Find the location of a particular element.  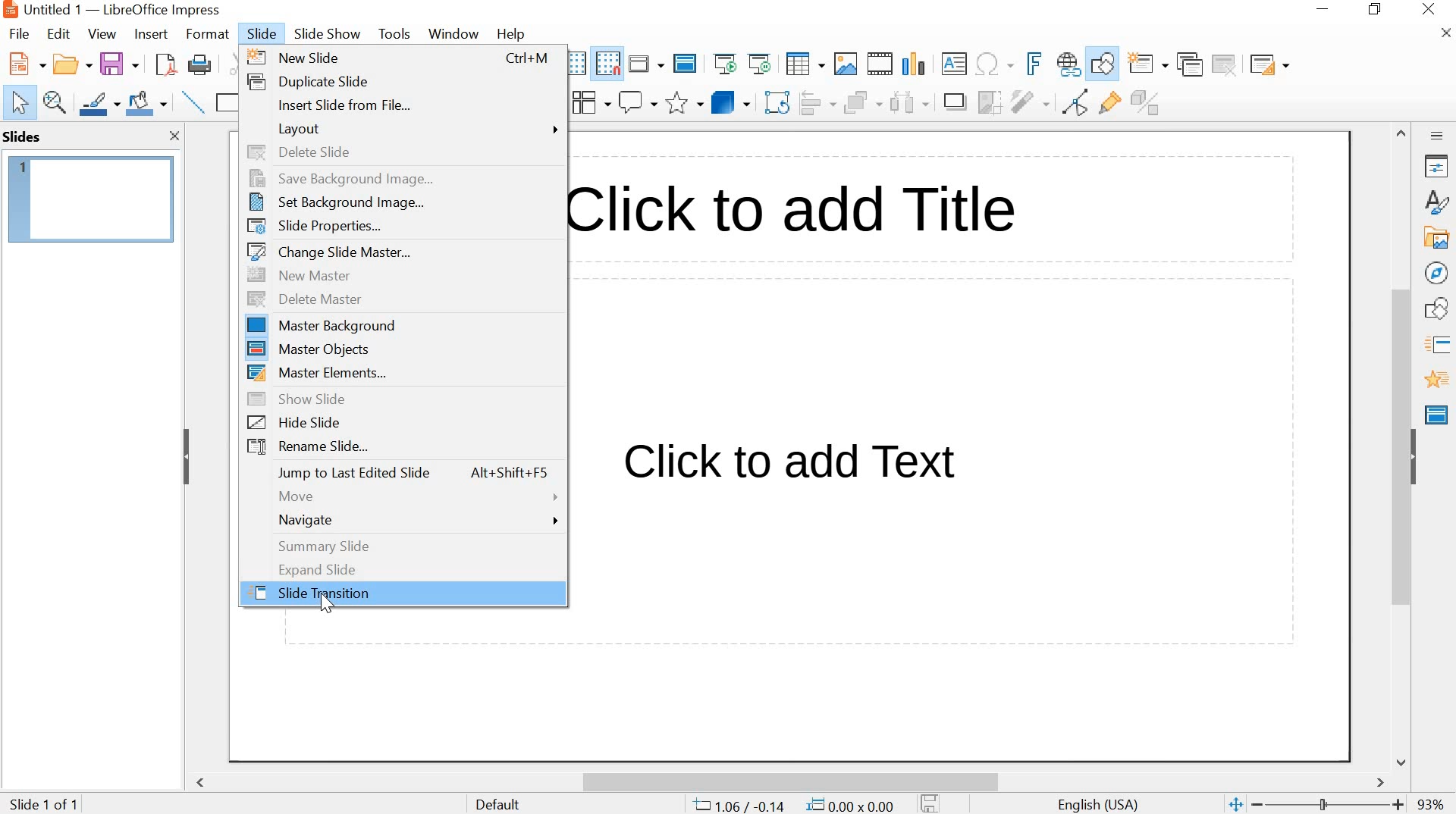

Rectangle is located at coordinates (227, 103).